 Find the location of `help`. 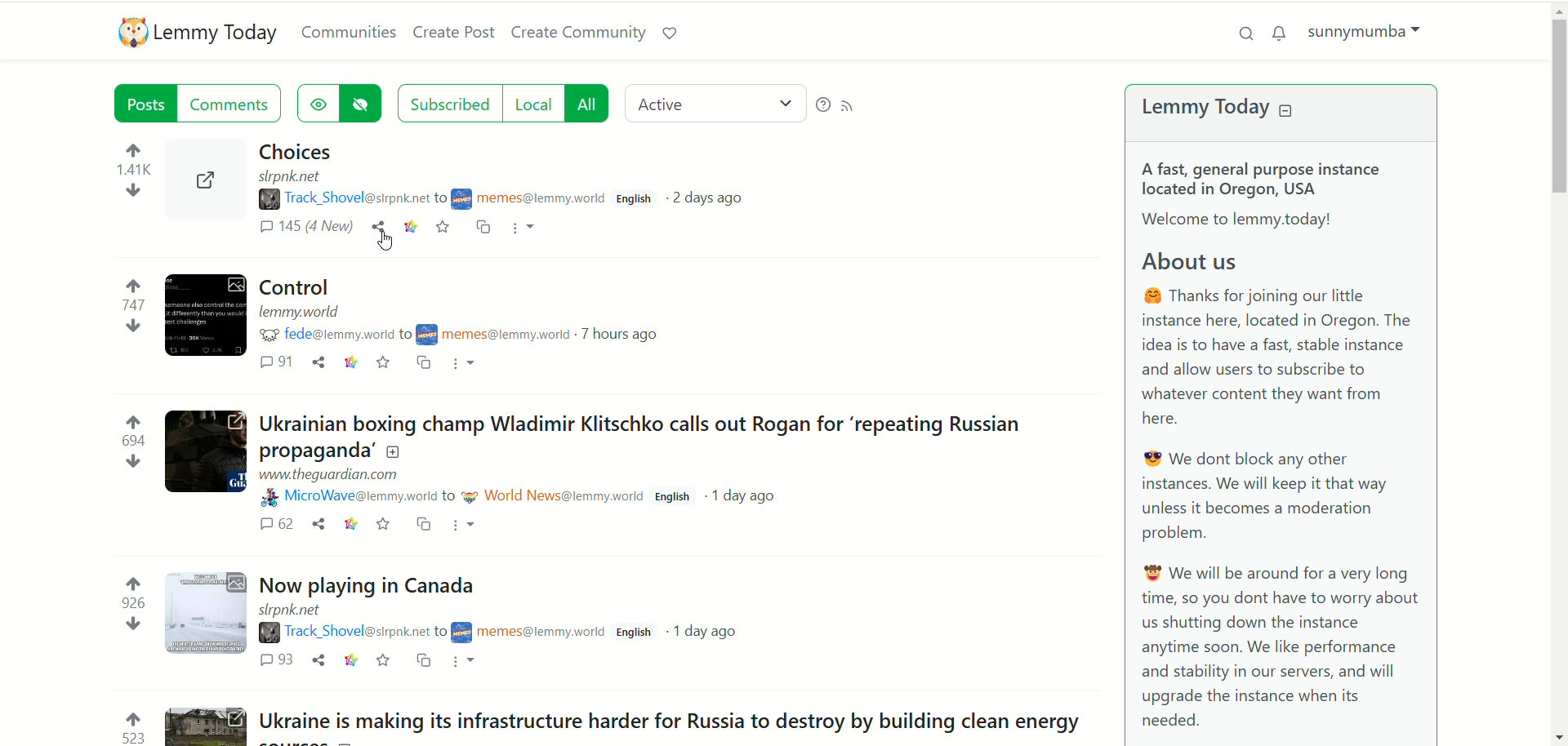

help is located at coordinates (822, 106).